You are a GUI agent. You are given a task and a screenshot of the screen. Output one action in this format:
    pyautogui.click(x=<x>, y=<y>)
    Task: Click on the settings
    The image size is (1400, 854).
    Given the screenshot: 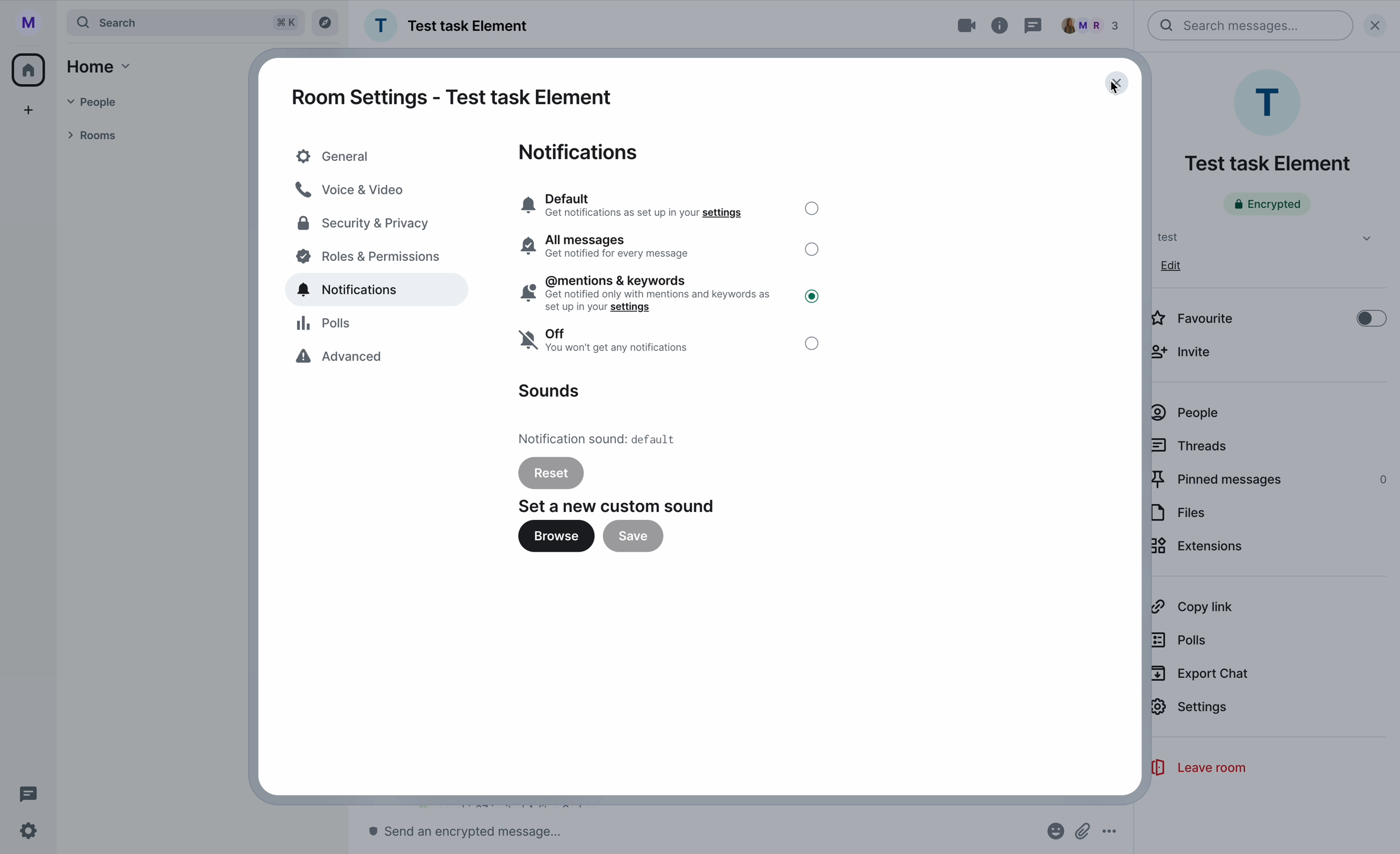 What is the action you would take?
    pyautogui.click(x=29, y=832)
    